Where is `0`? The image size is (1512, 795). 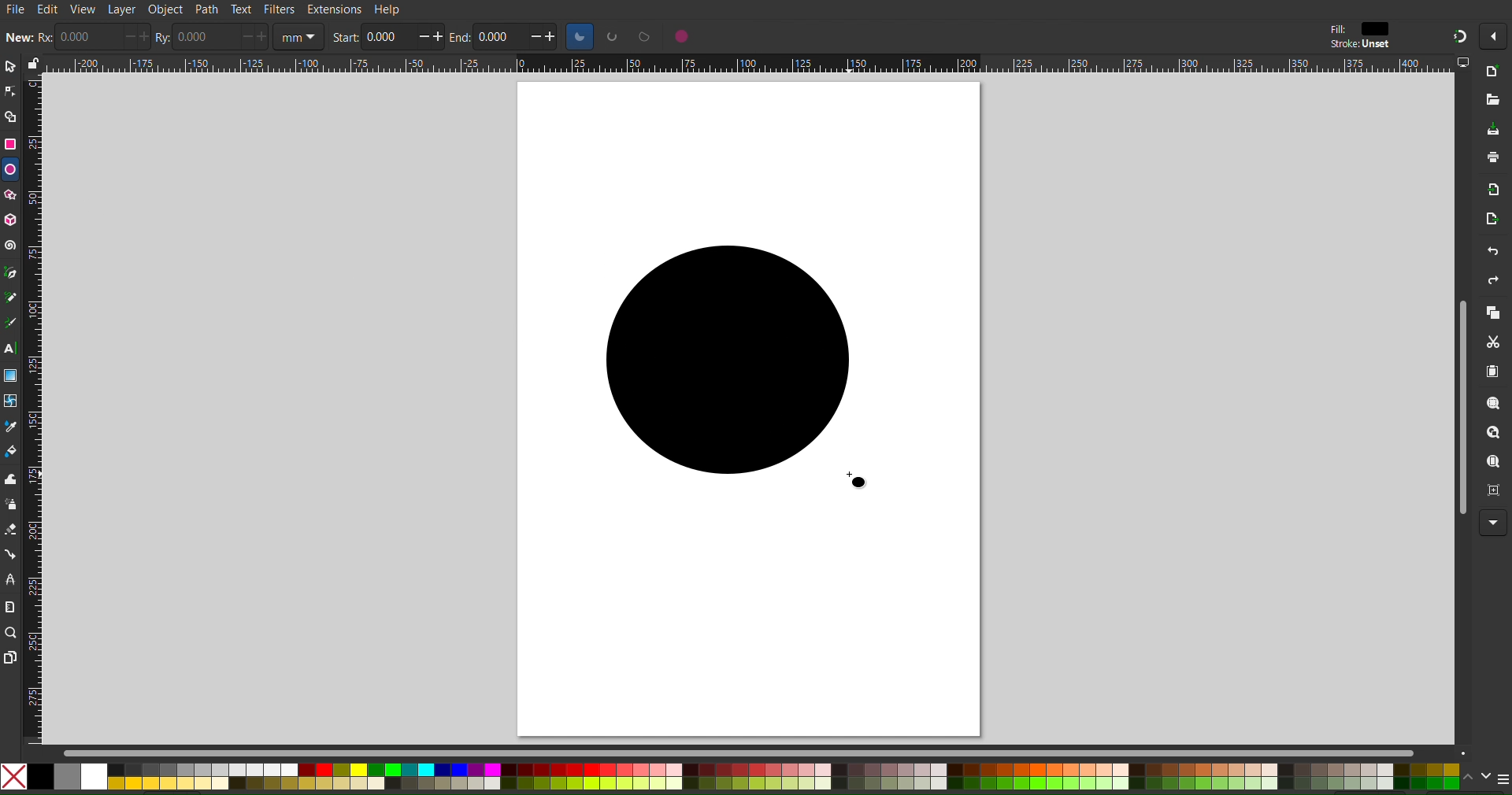 0 is located at coordinates (387, 36).